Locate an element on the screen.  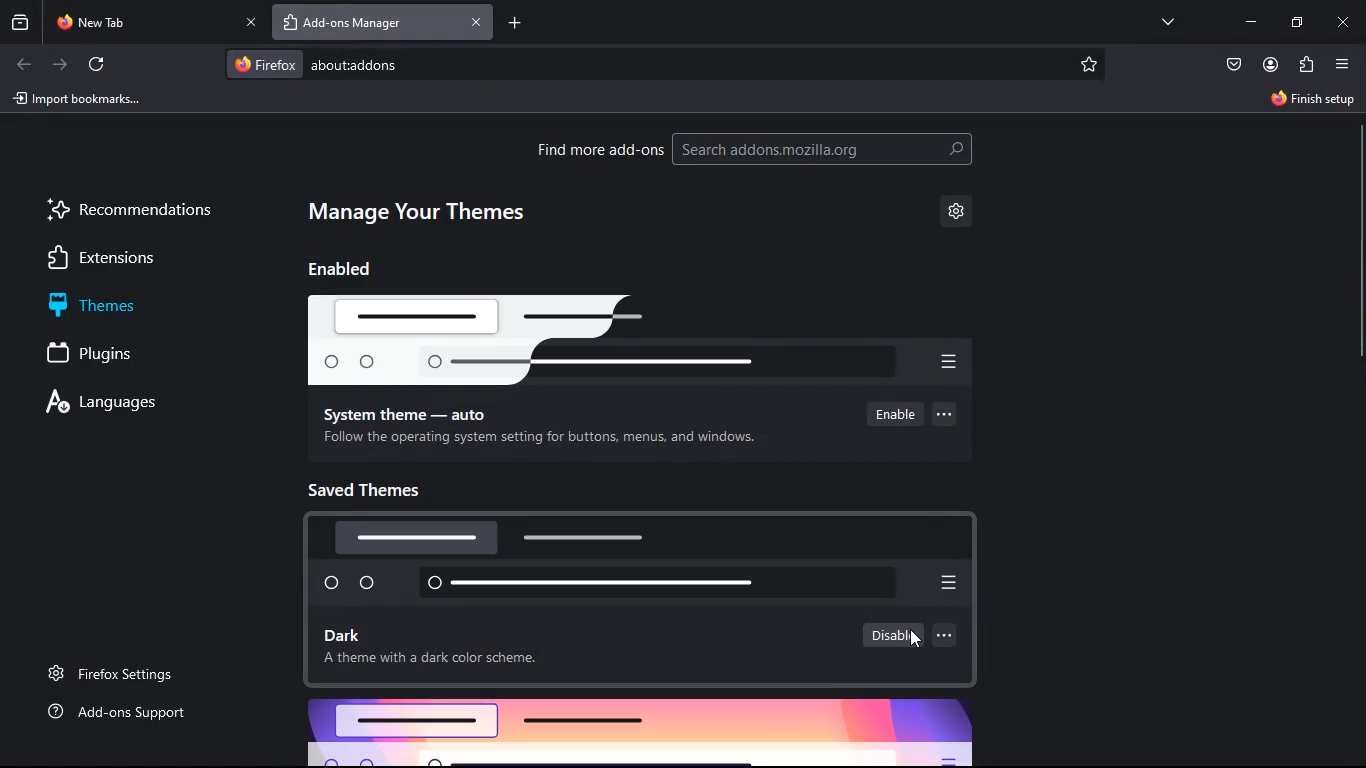
disable is located at coordinates (891, 635).